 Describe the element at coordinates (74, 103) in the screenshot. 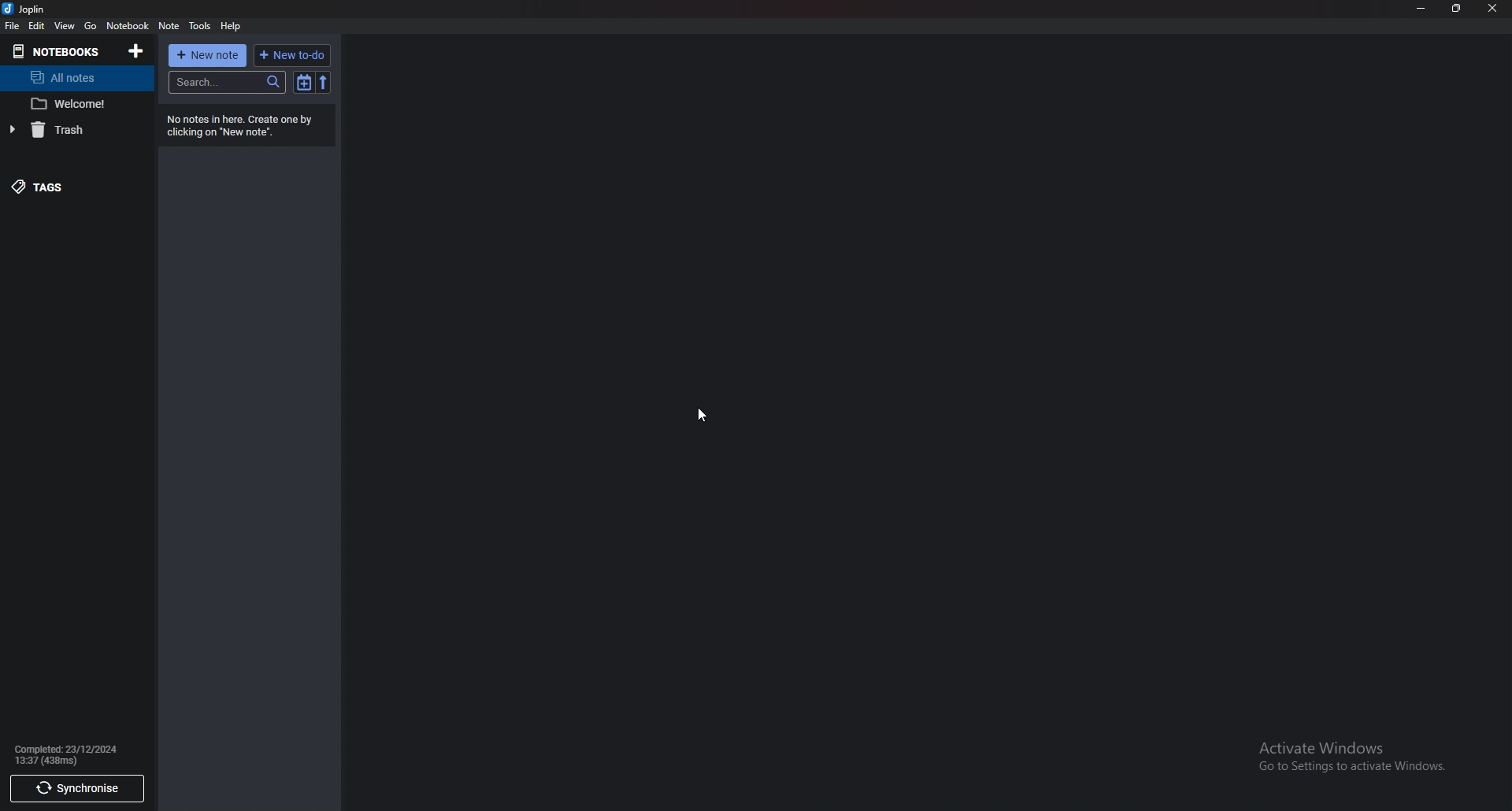

I see `Welcome` at that location.